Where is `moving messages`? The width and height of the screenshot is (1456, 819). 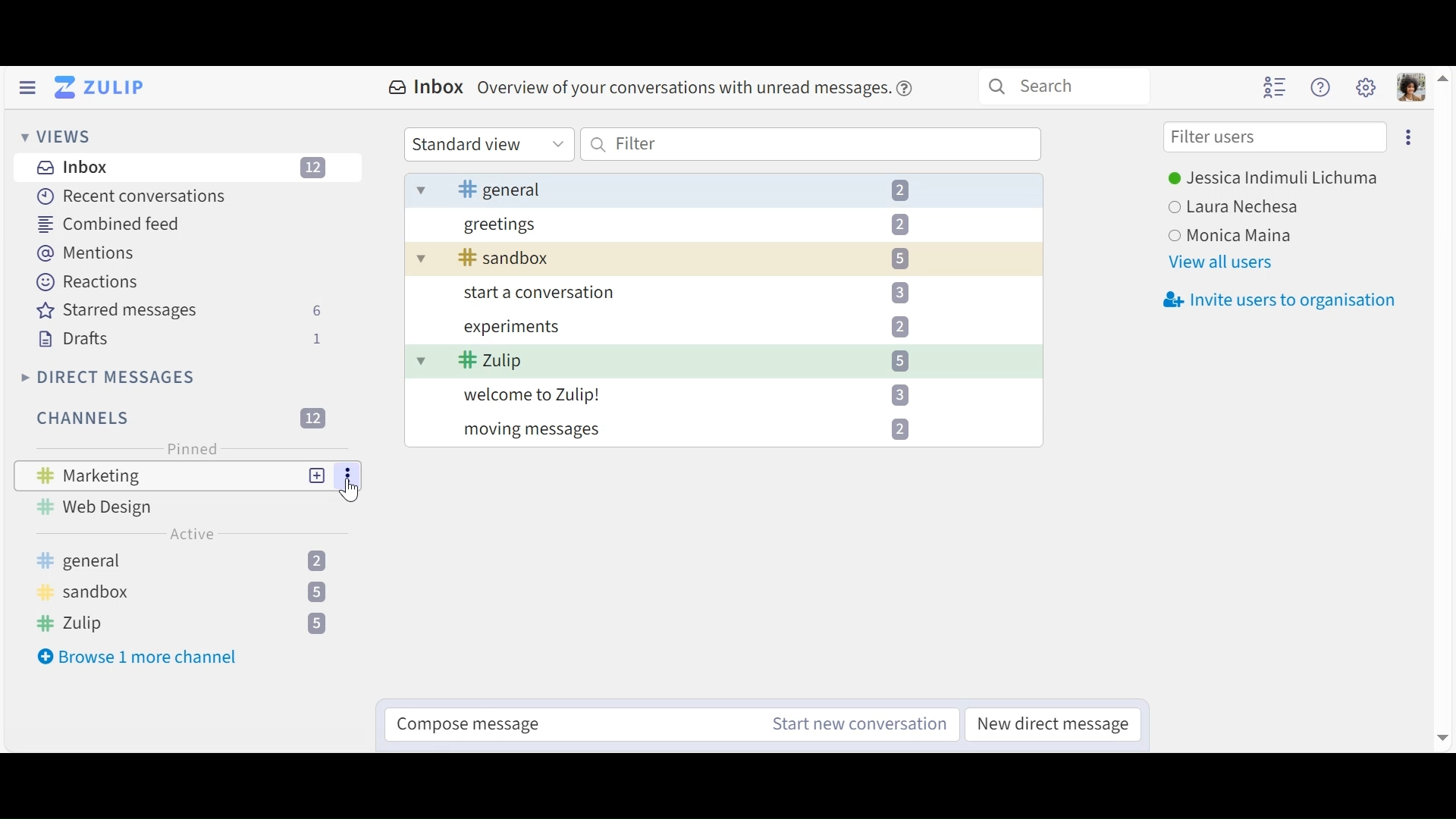 moving messages is located at coordinates (705, 425).